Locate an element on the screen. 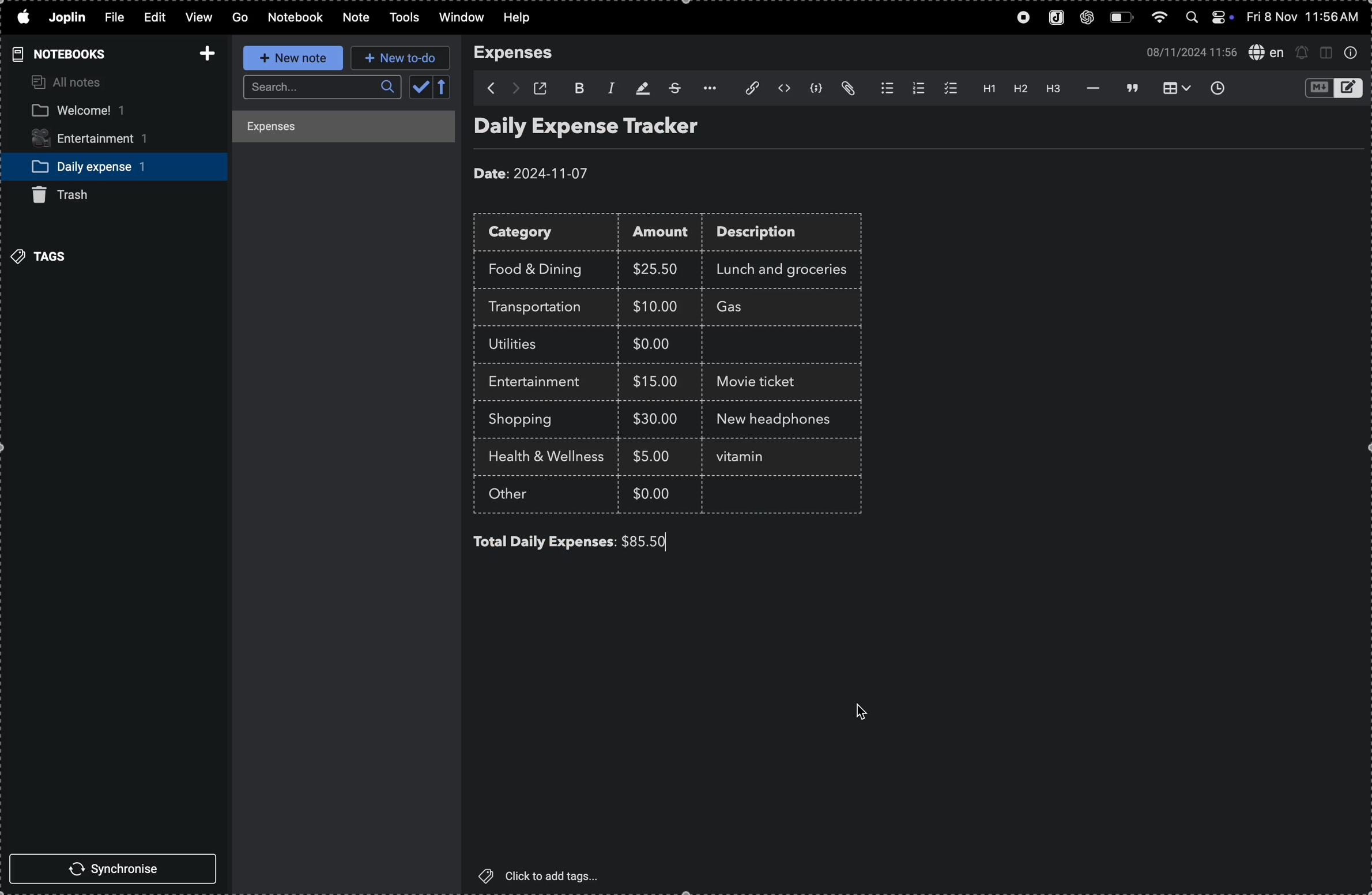  other is located at coordinates (522, 496).